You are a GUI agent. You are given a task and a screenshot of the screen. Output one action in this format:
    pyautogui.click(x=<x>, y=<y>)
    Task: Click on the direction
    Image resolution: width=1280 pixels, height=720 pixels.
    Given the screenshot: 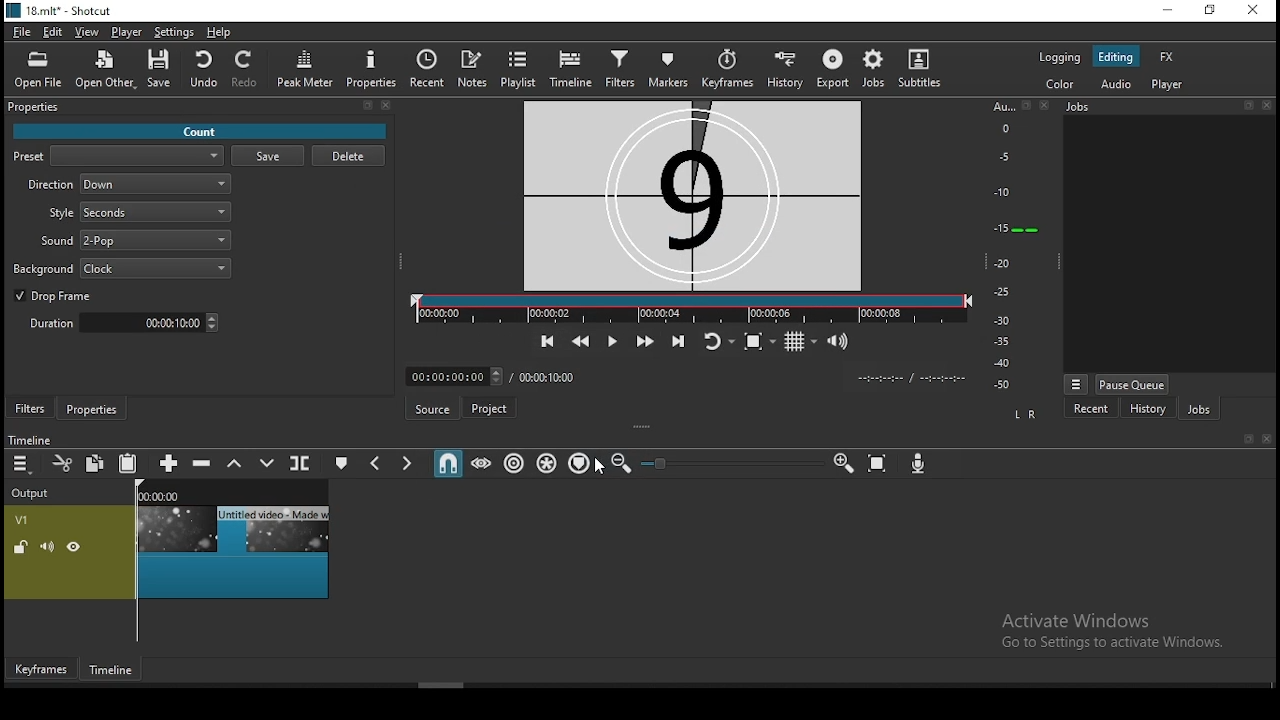 What is the action you would take?
    pyautogui.click(x=131, y=183)
    